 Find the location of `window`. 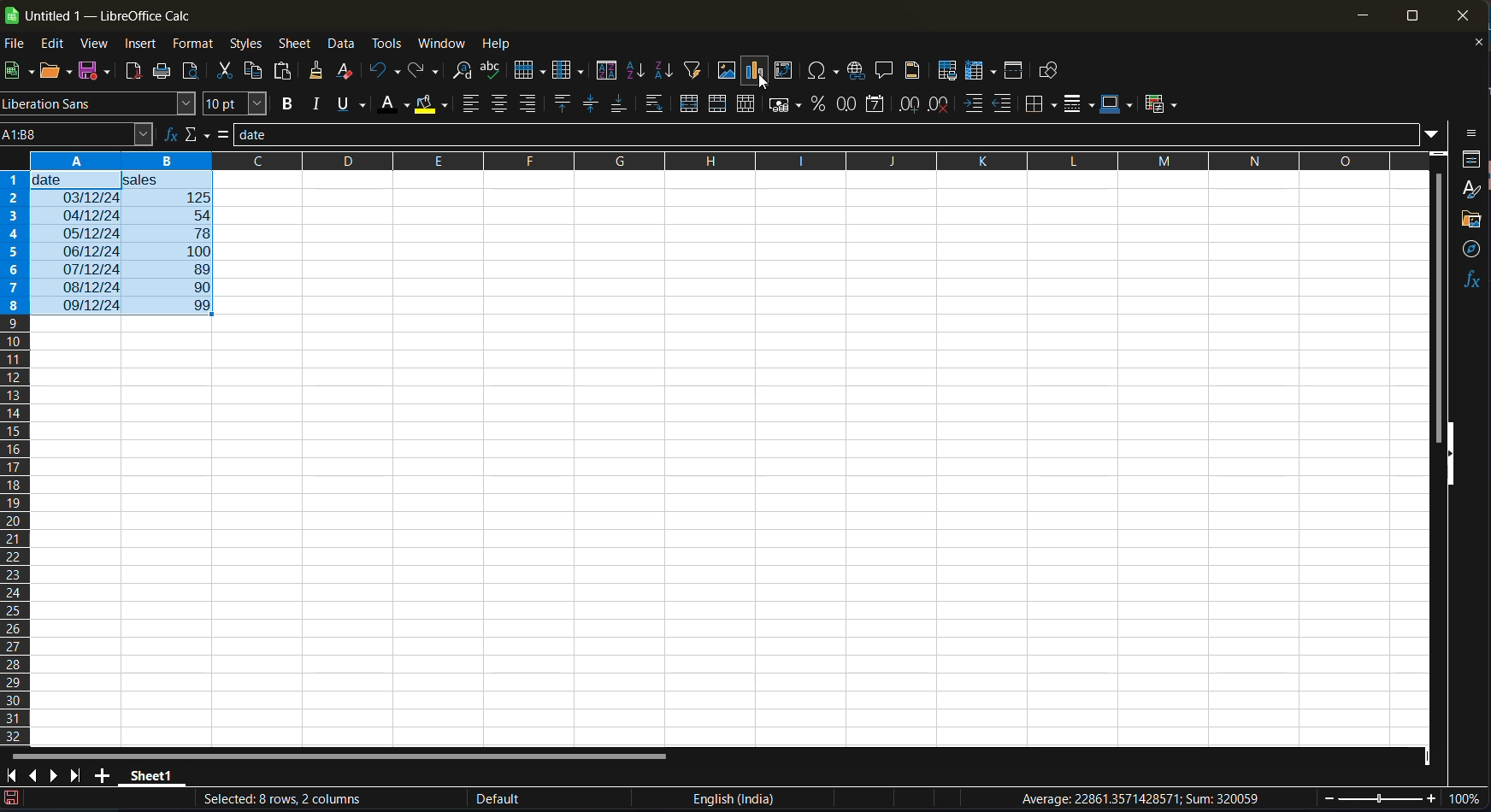

window is located at coordinates (442, 45).